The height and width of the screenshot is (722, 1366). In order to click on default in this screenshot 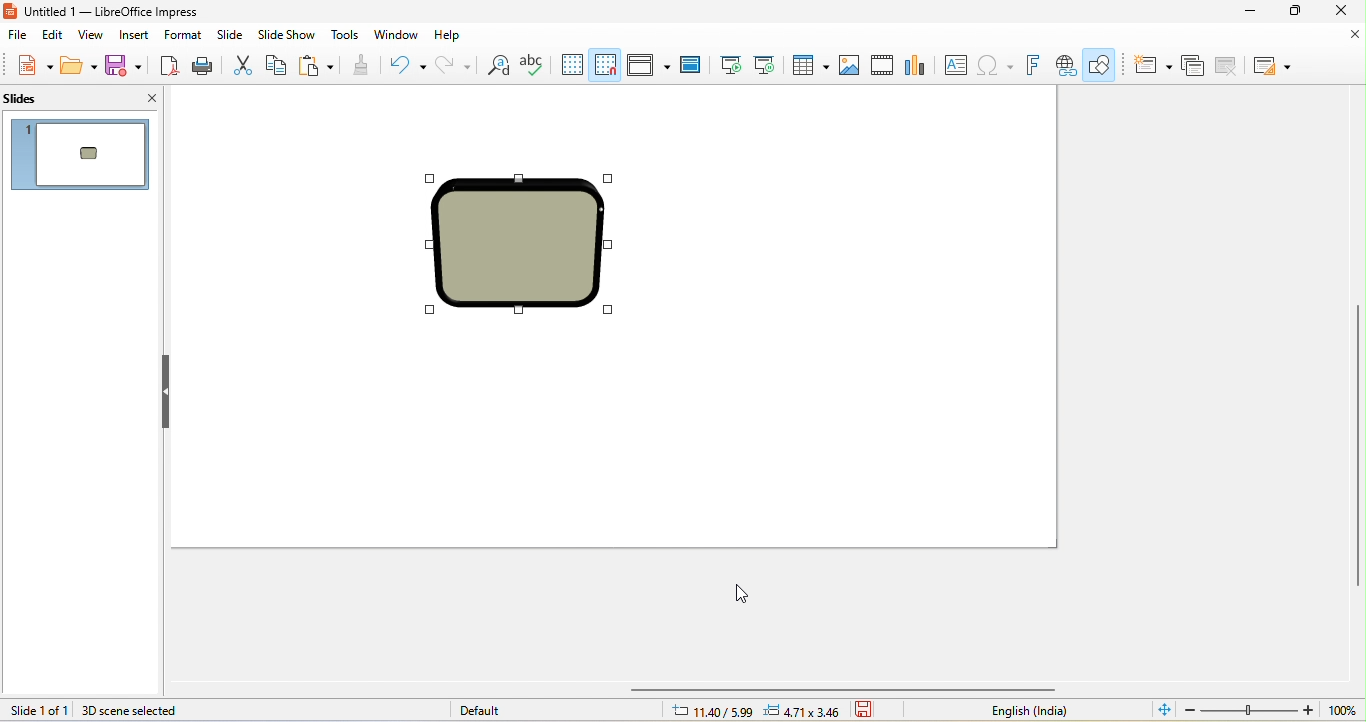, I will do `click(479, 710)`.